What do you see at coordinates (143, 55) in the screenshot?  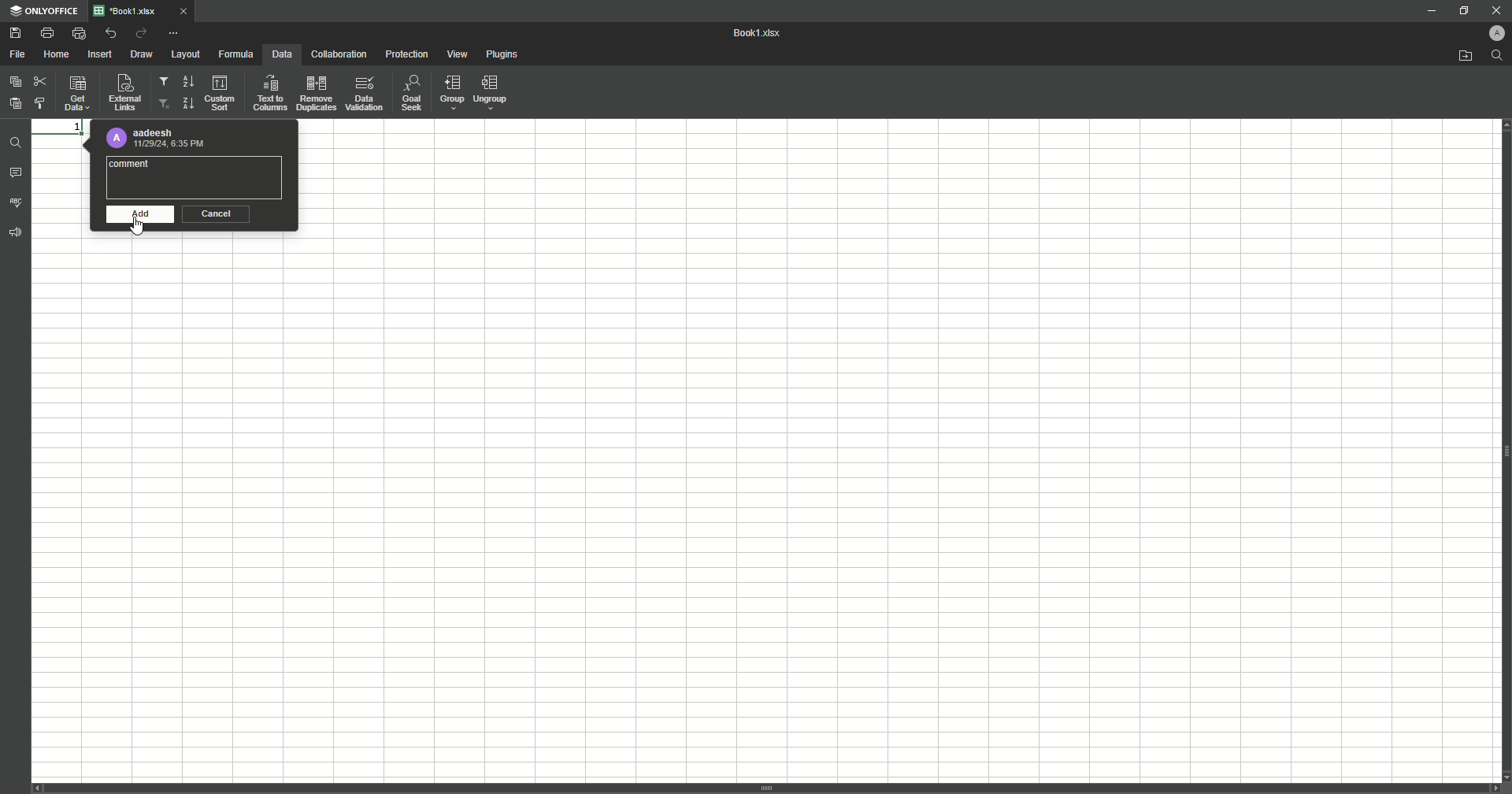 I see `Draw` at bounding box center [143, 55].